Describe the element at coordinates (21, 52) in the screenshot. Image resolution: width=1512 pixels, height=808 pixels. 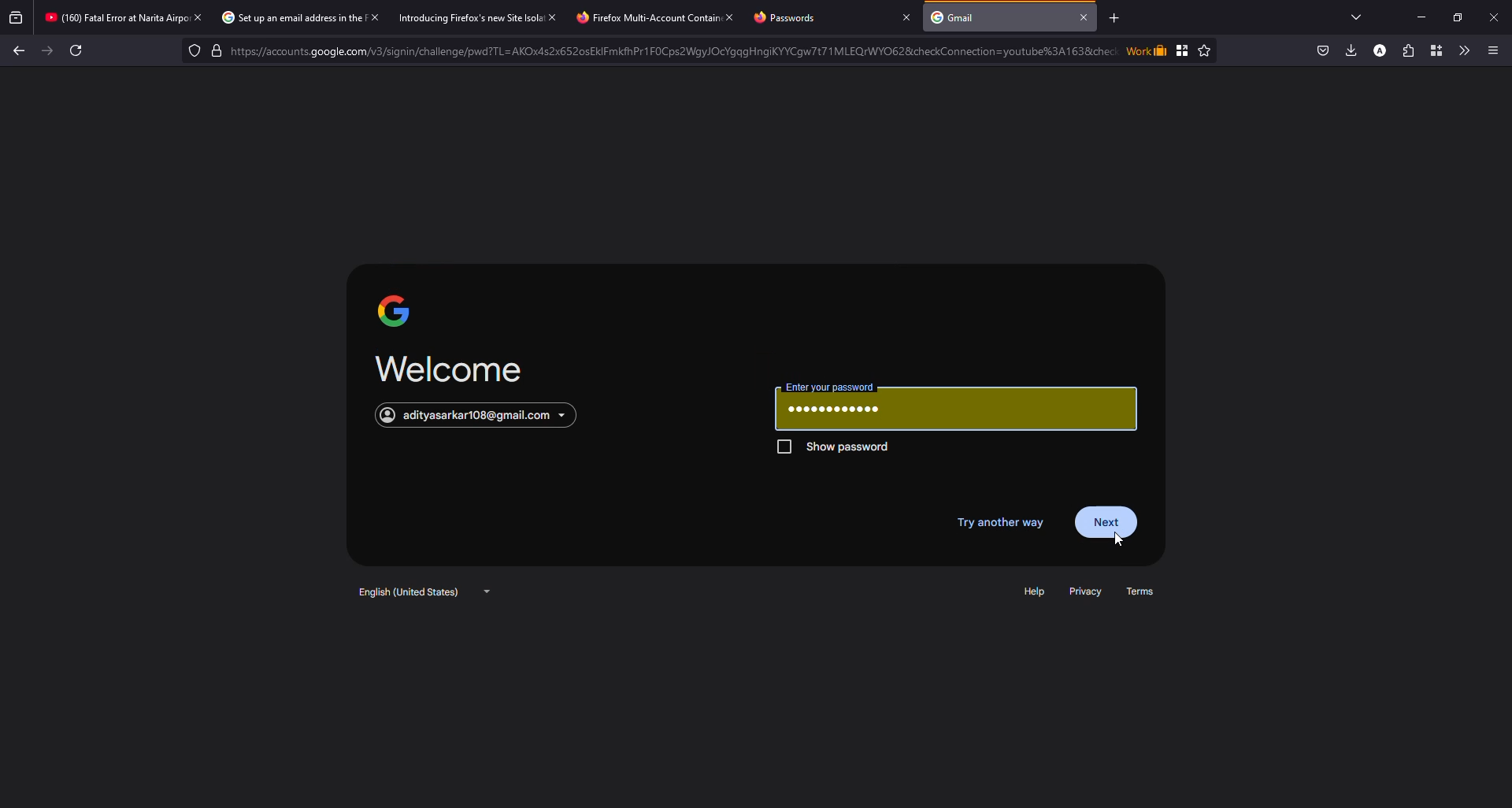
I see `back` at that location.